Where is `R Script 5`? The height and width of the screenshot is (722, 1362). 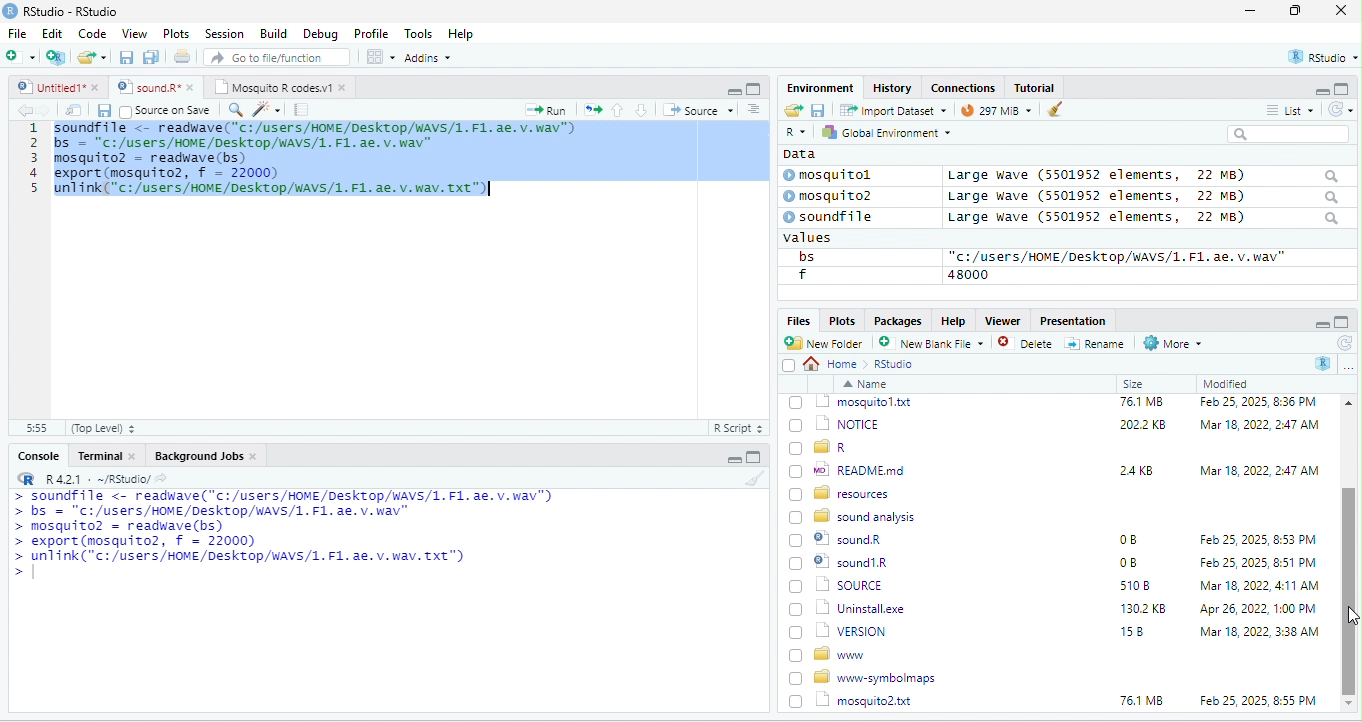 R Script 5 is located at coordinates (739, 428).